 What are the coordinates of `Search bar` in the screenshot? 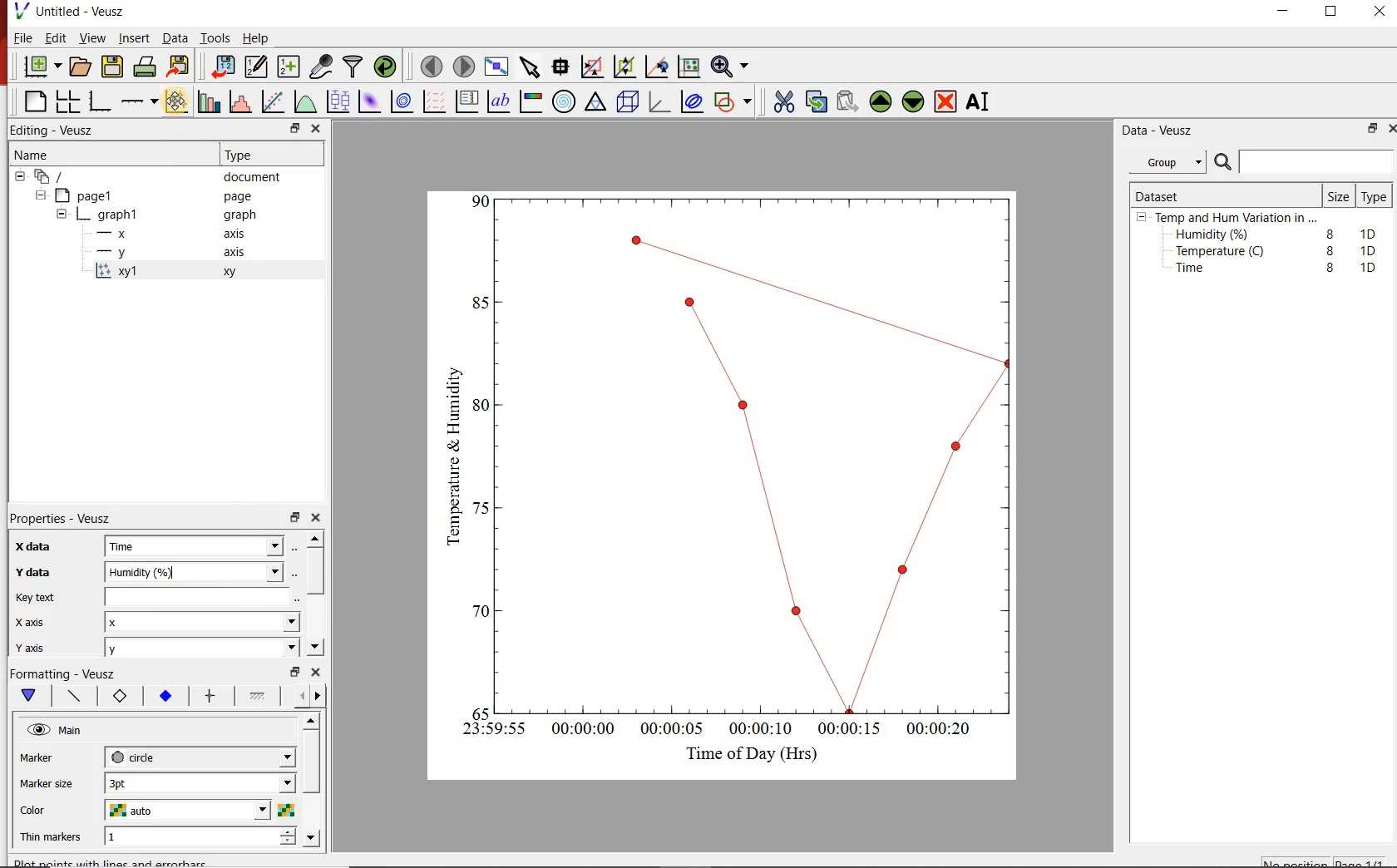 It's located at (1304, 162).